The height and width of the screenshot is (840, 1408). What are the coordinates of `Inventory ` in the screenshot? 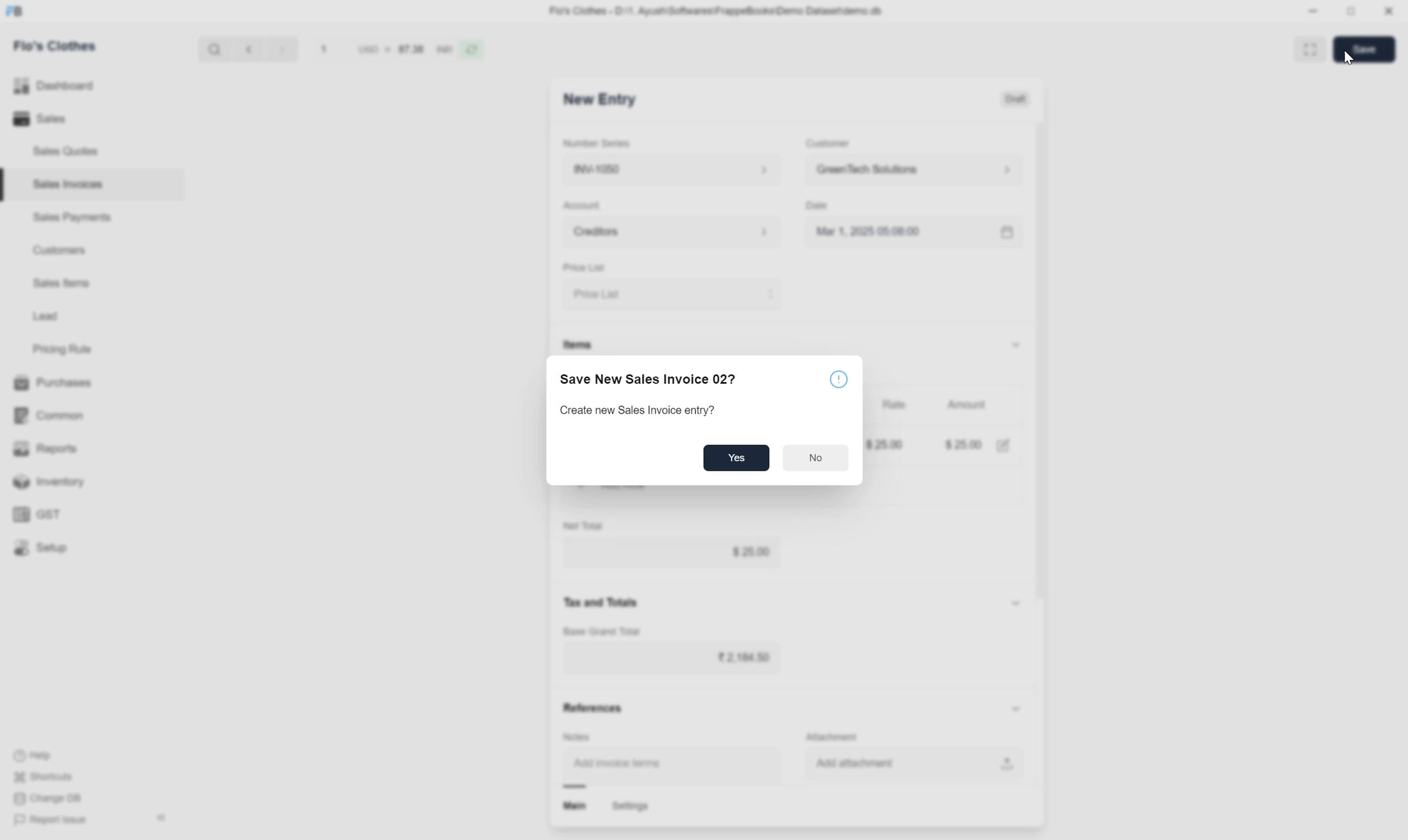 It's located at (85, 482).